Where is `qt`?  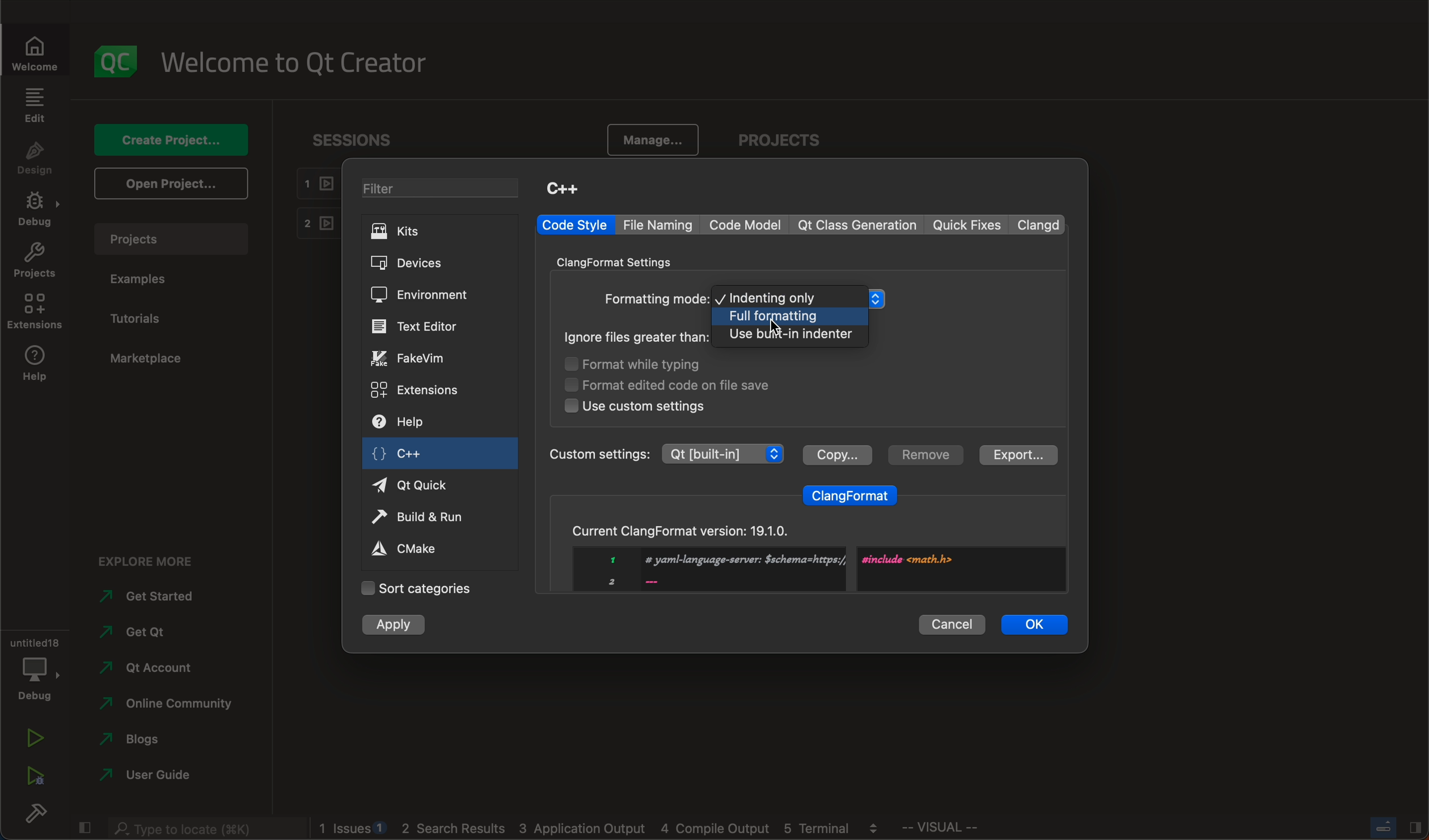 qt is located at coordinates (143, 637).